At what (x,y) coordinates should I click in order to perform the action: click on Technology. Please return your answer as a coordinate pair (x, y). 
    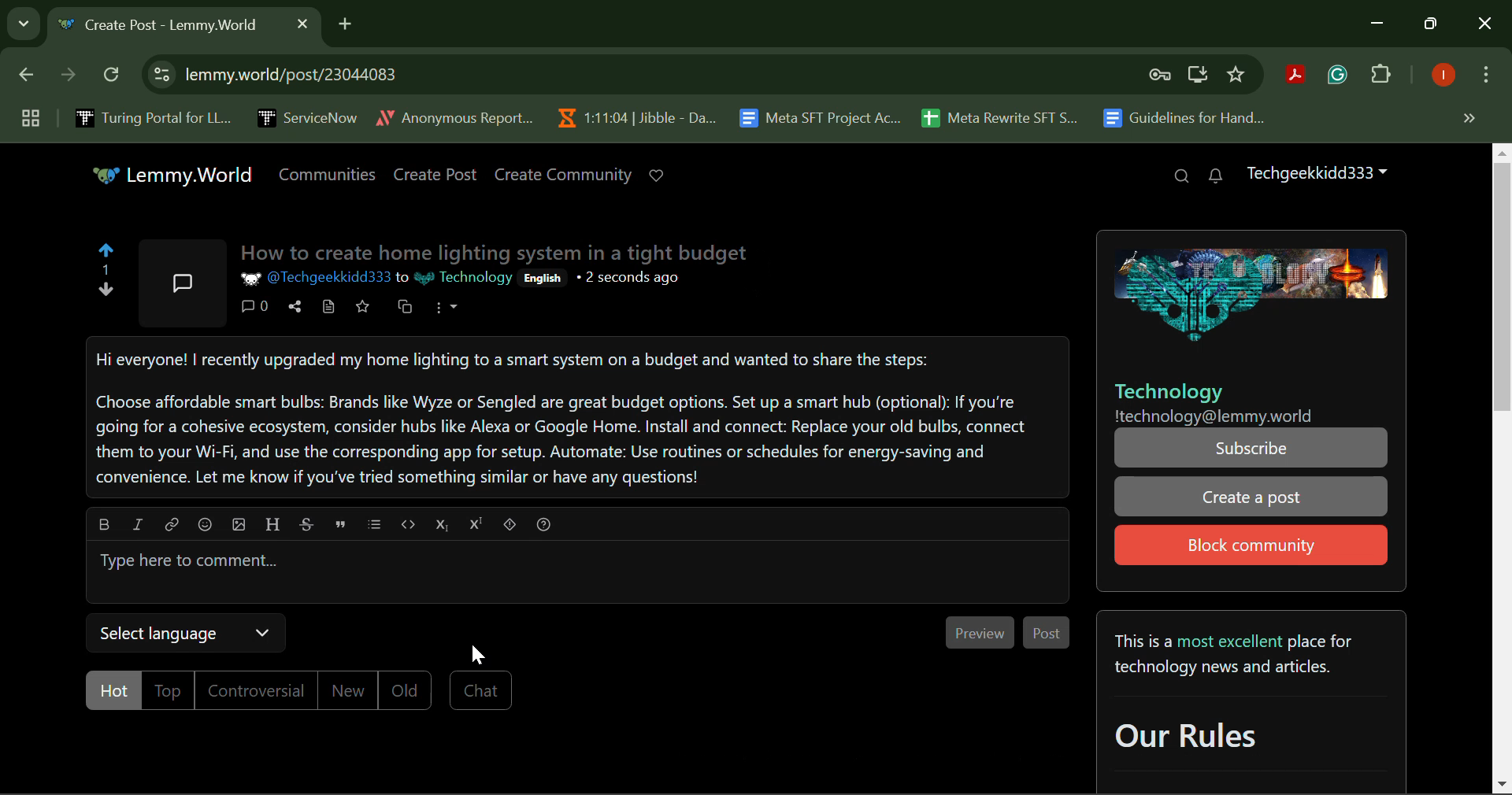
    Looking at the image, I should click on (1169, 393).